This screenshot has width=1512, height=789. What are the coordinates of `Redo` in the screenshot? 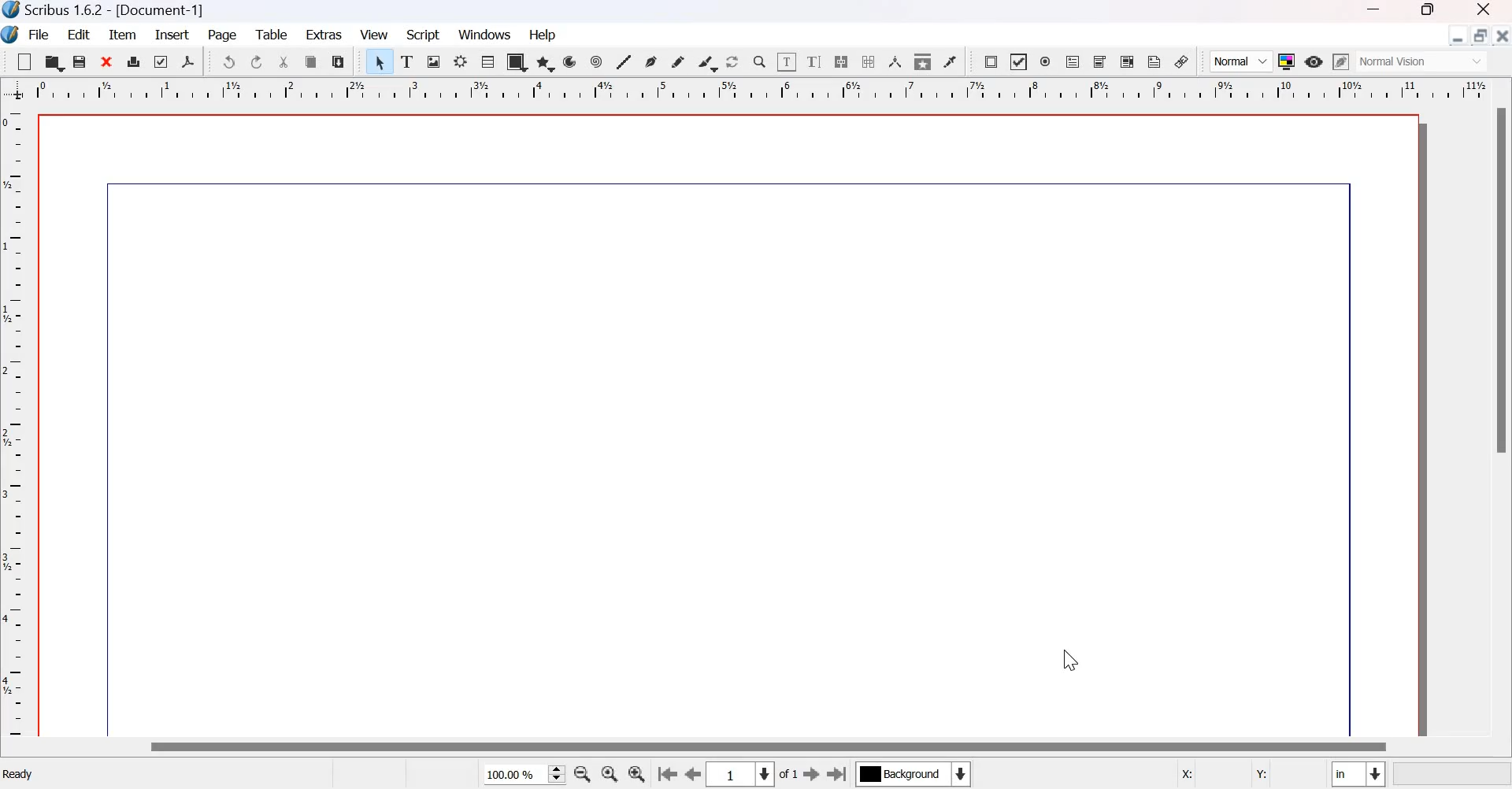 It's located at (258, 62).